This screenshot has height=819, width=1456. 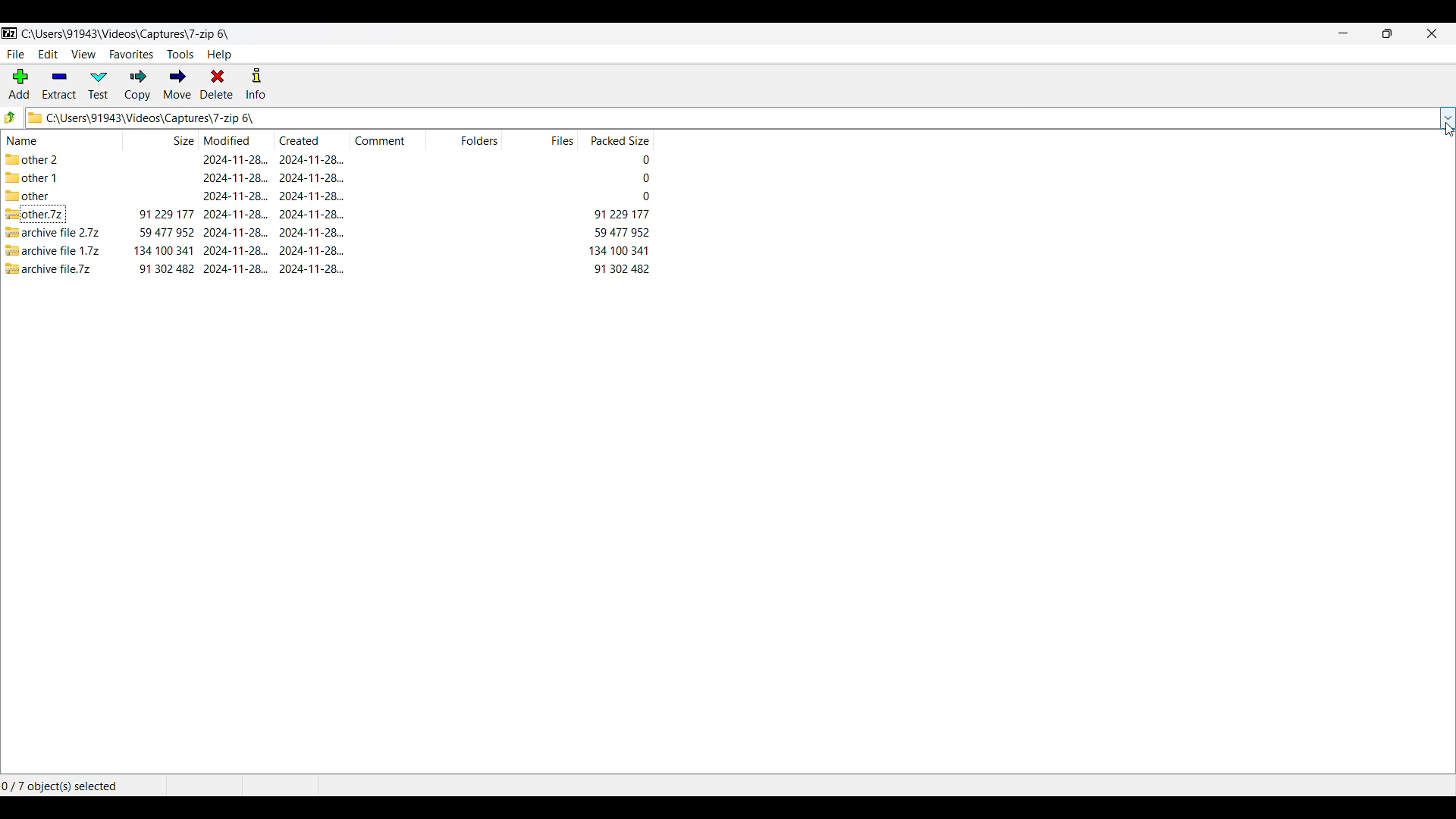 I want to click on Folders column, so click(x=465, y=140).